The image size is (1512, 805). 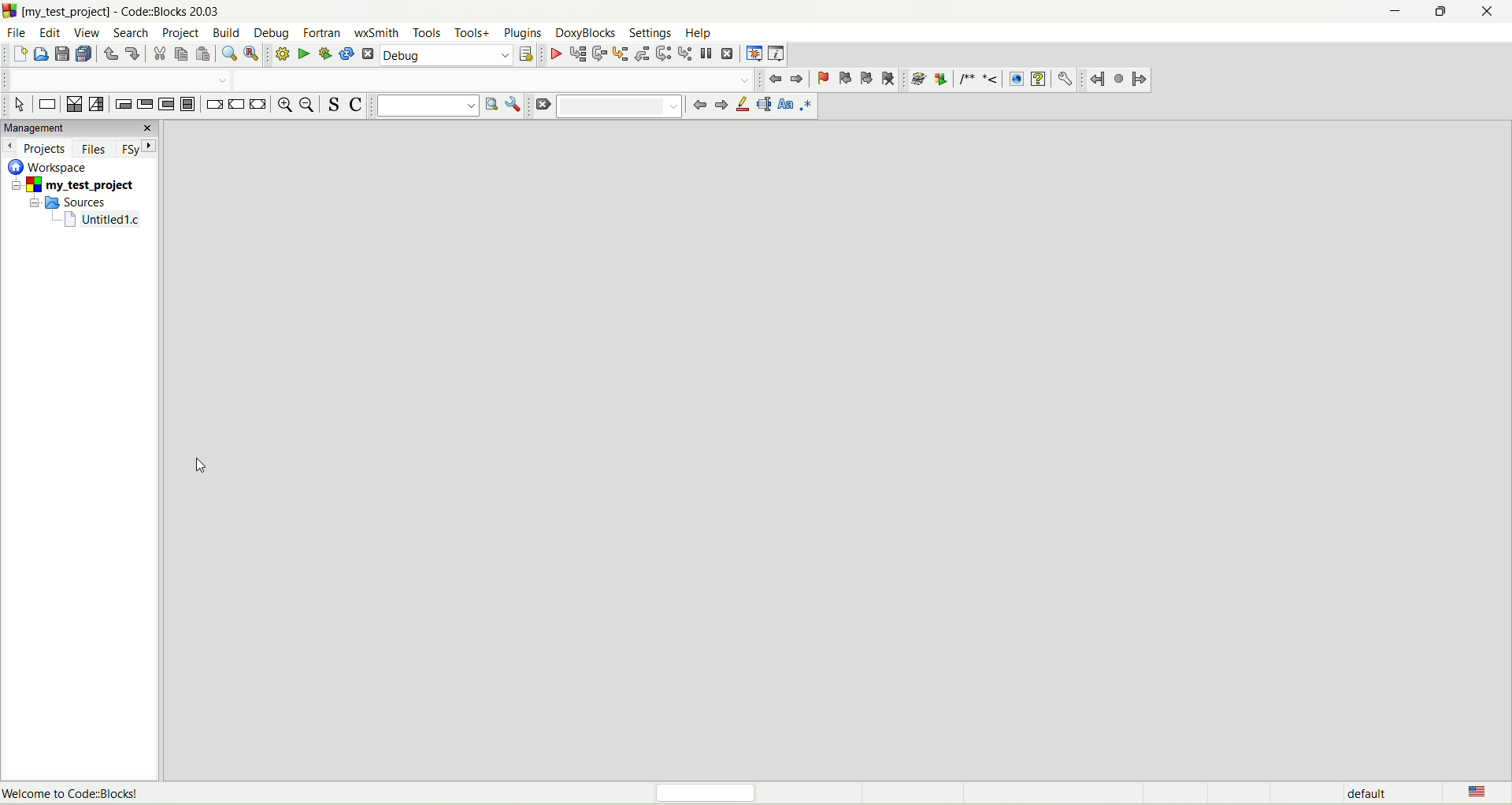 What do you see at coordinates (275, 34) in the screenshot?
I see `debug` at bounding box center [275, 34].